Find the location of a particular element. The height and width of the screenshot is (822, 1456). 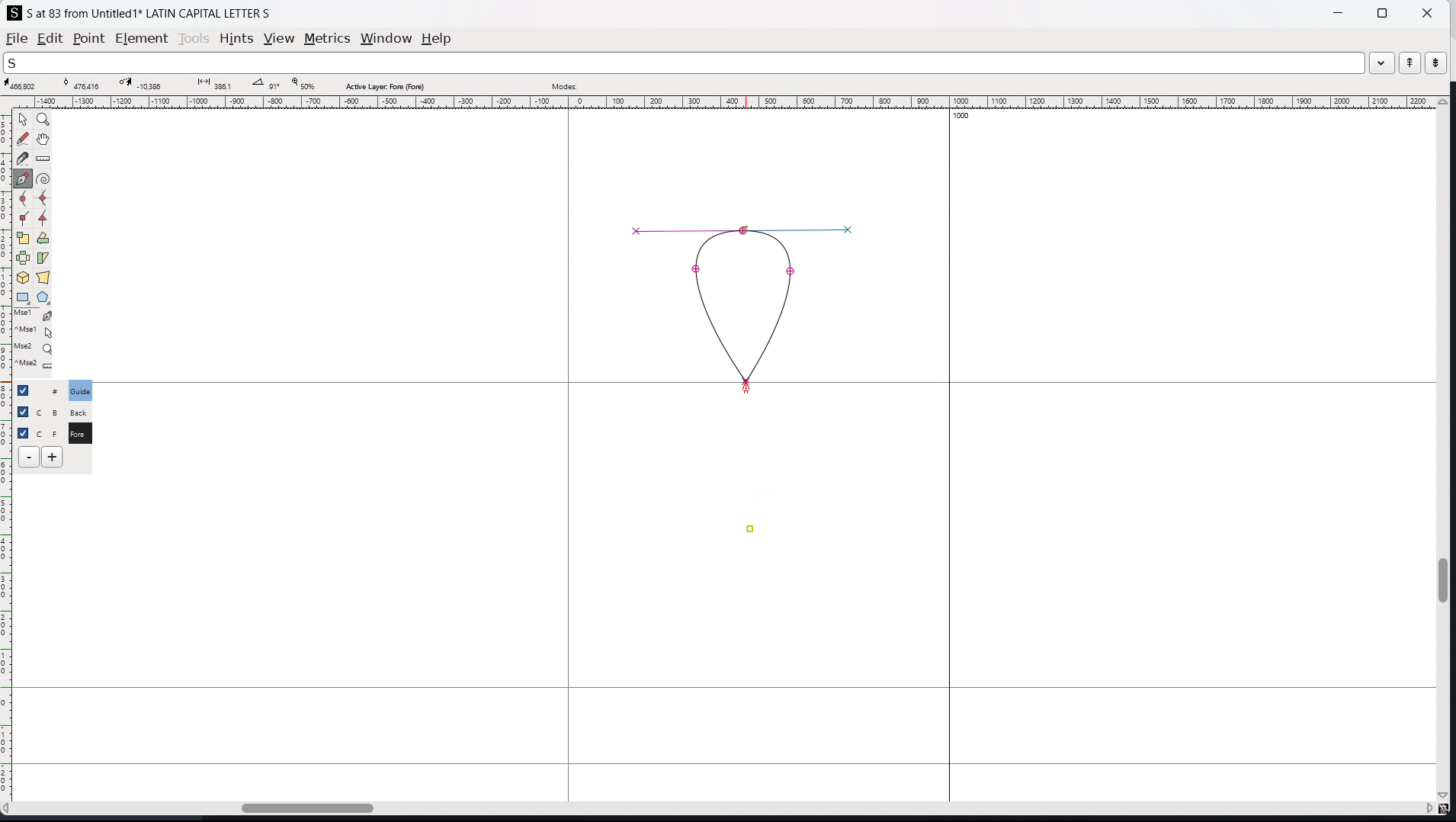

^Mse1 is located at coordinates (34, 332).